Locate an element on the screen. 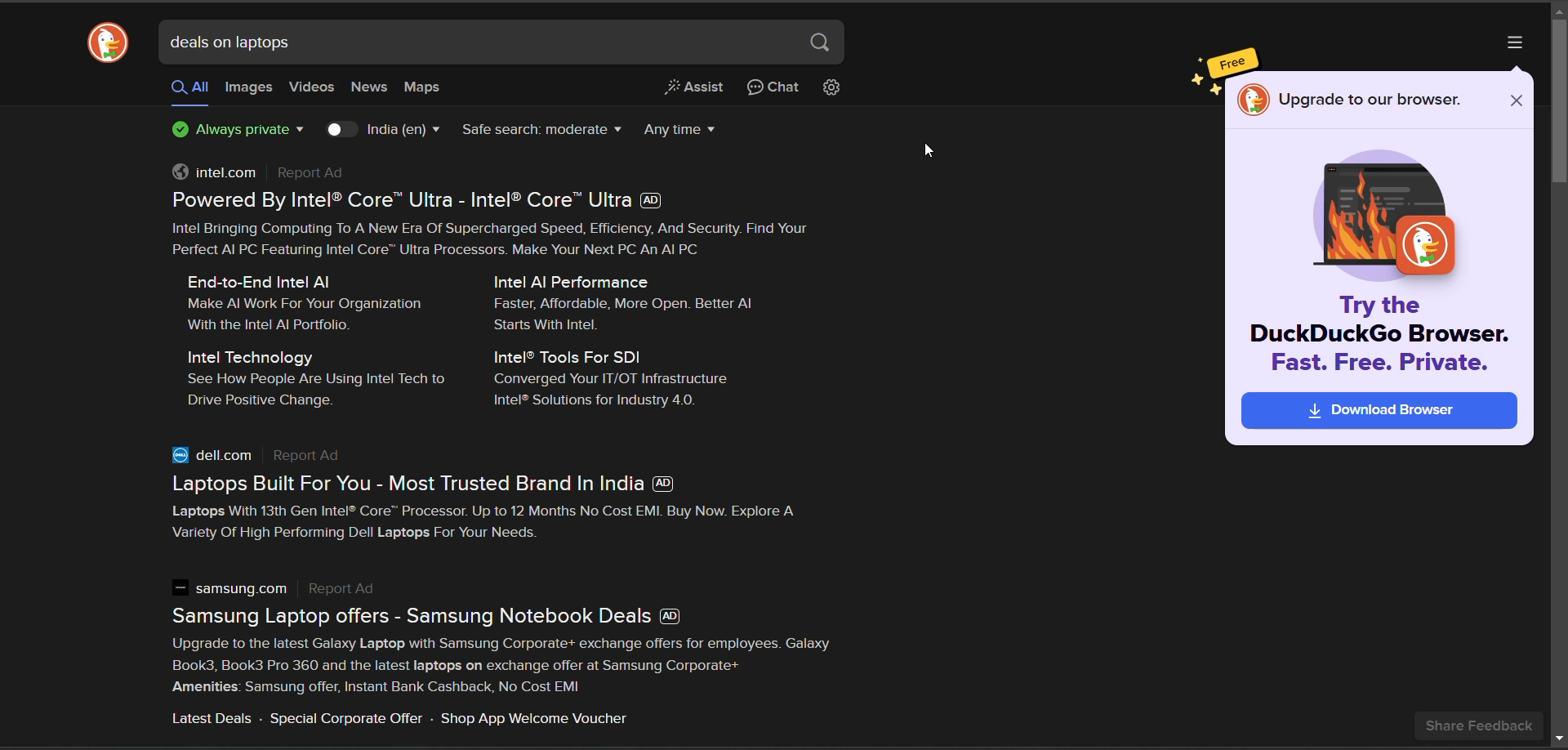 Image resolution: width=1568 pixels, height=750 pixels. Intel Technology
See How People Are Using Intel Tech to
Drive Positive Change. is located at coordinates (314, 380).